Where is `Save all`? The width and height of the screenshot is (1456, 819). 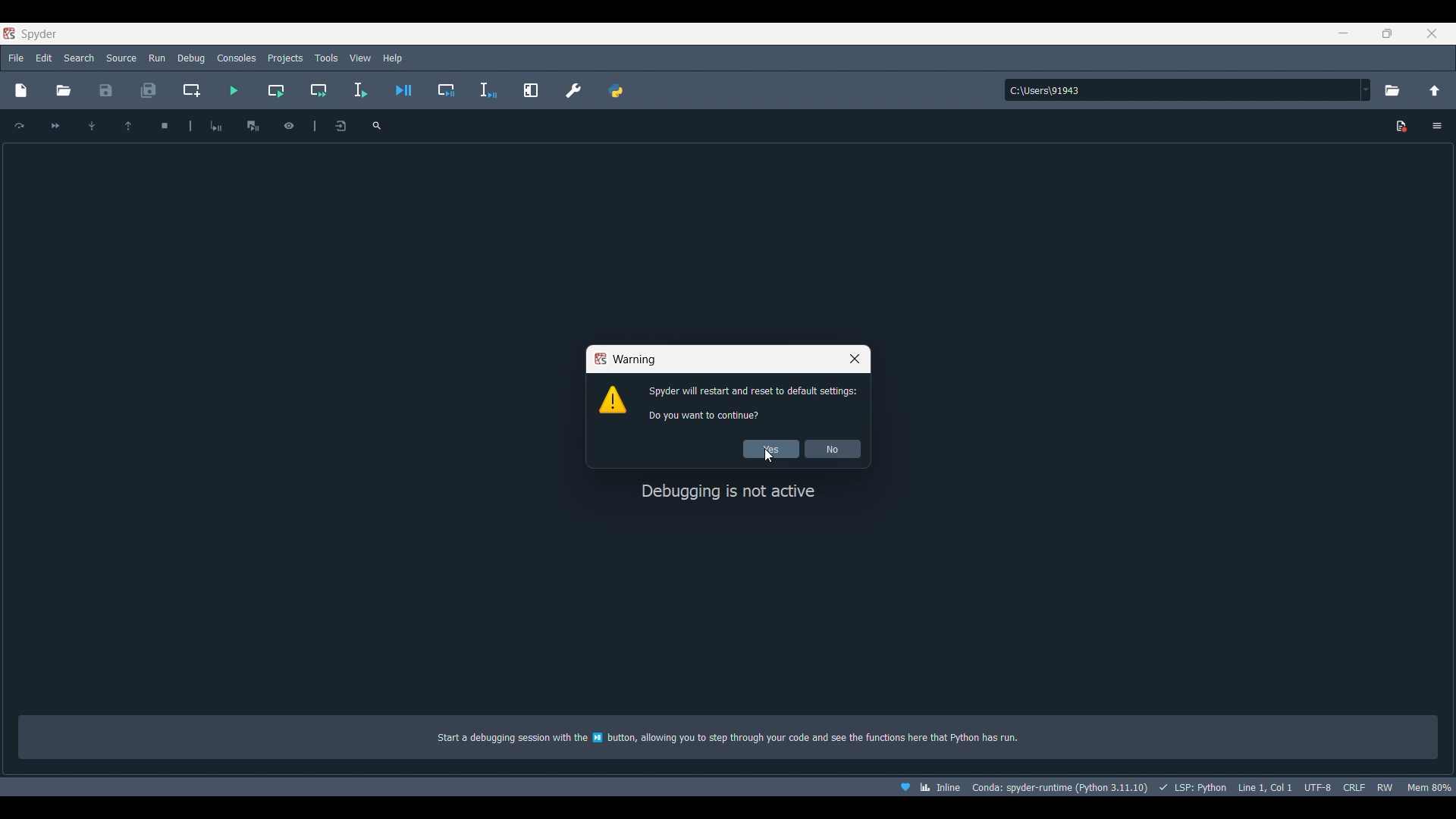 Save all is located at coordinates (149, 90).